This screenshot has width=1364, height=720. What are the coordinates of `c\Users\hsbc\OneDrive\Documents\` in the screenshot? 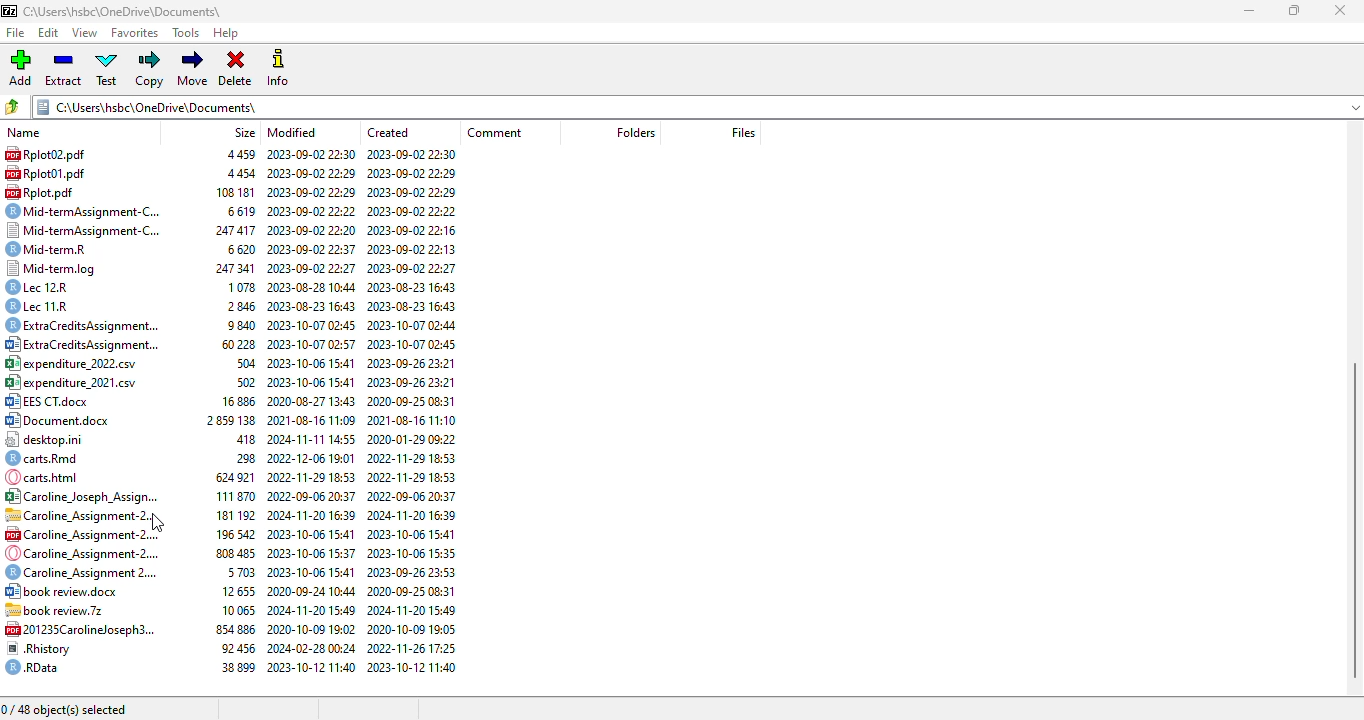 It's located at (133, 11).